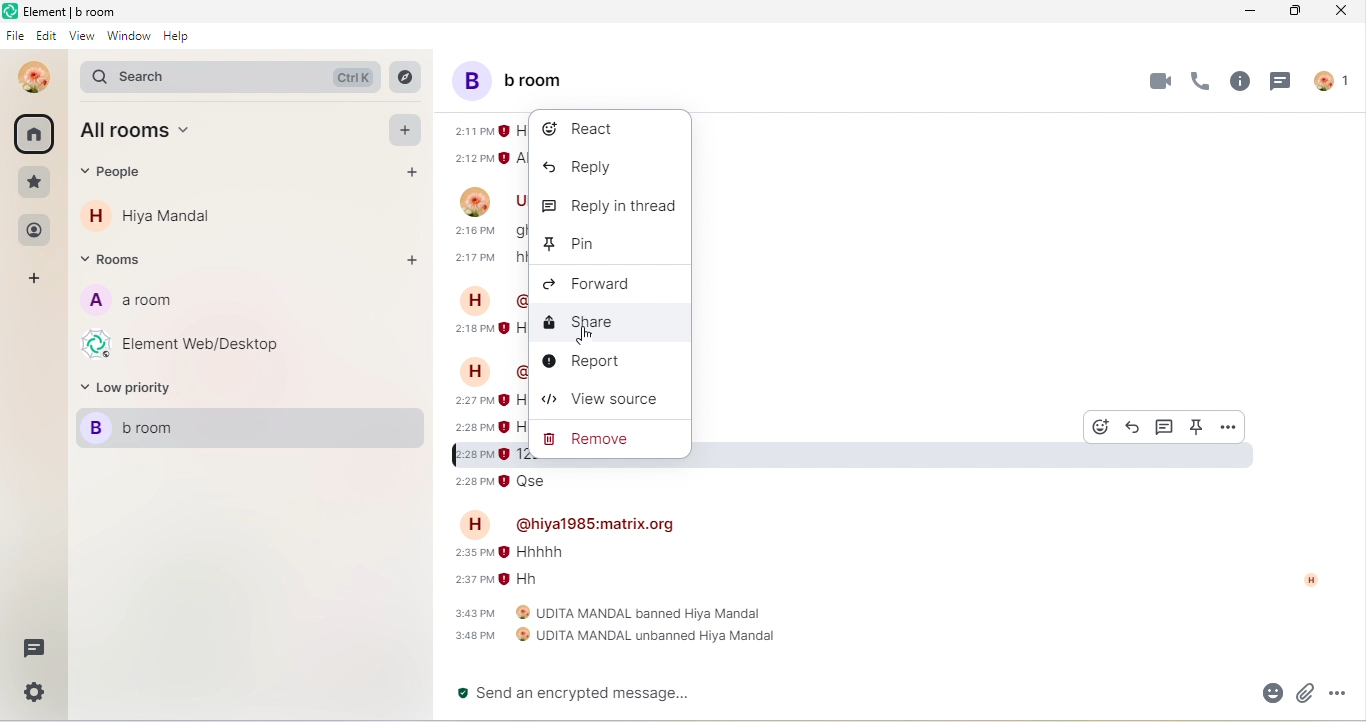 This screenshot has width=1366, height=722. Describe the element at coordinates (413, 262) in the screenshot. I see `add room` at that location.